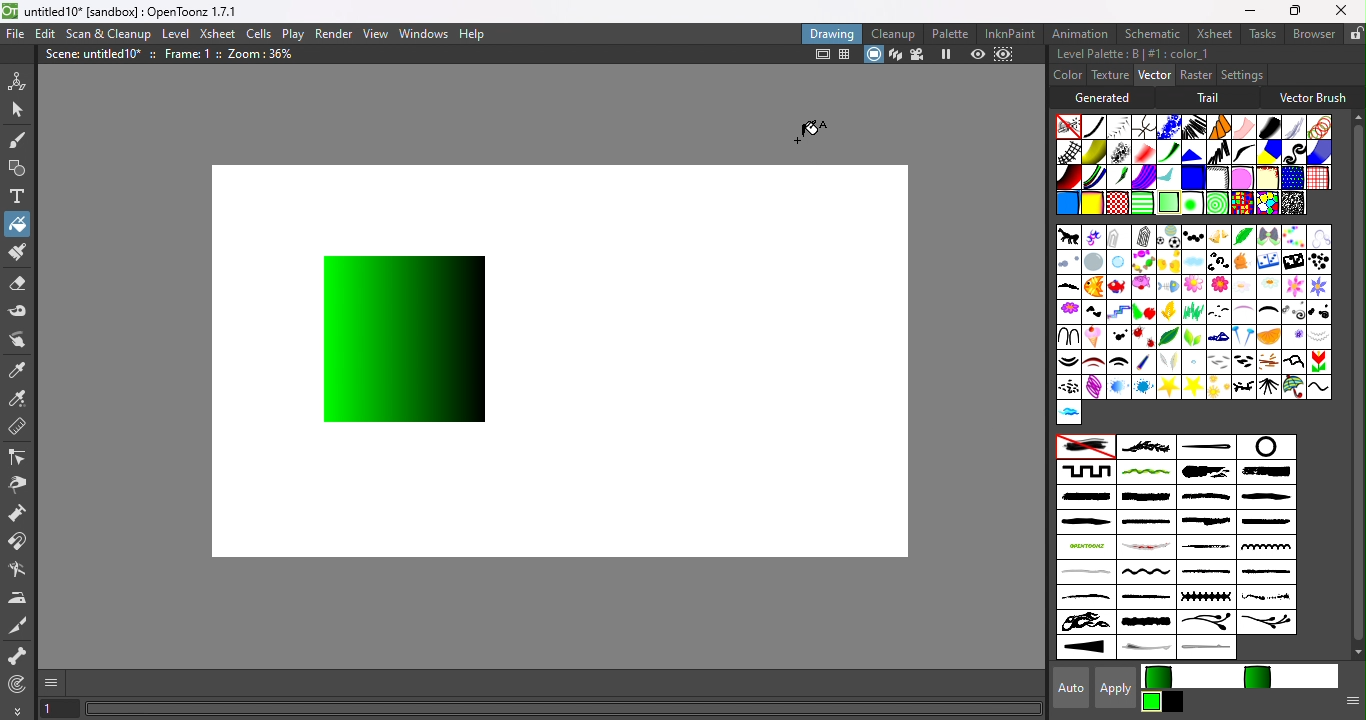 This screenshot has height=720, width=1366. I want to click on hedge, so click(1319, 311).